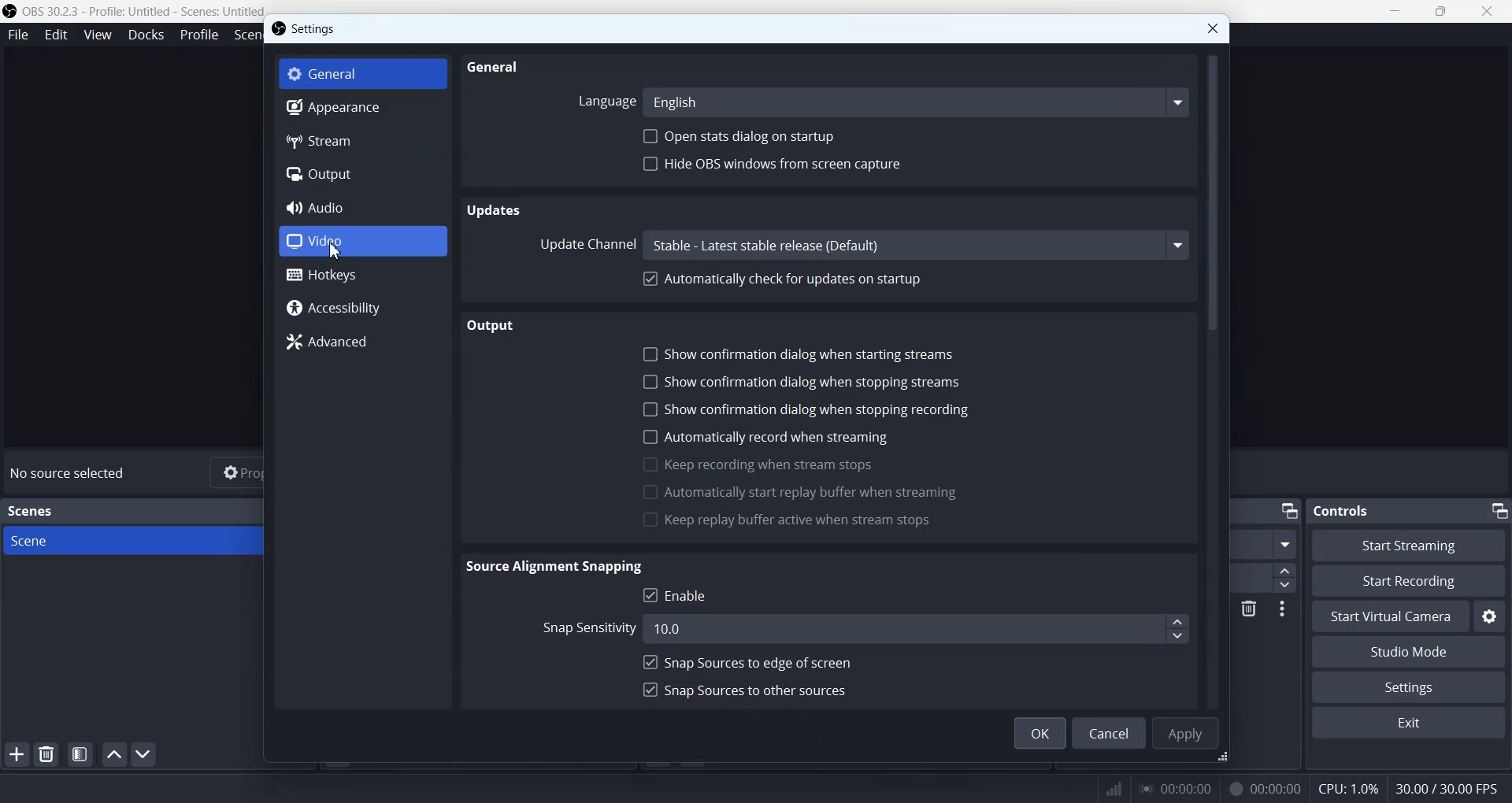 The image size is (1512, 803). What do you see at coordinates (1345, 788) in the screenshot?
I see `CPU: 1.0%` at bounding box center [1345, 788].